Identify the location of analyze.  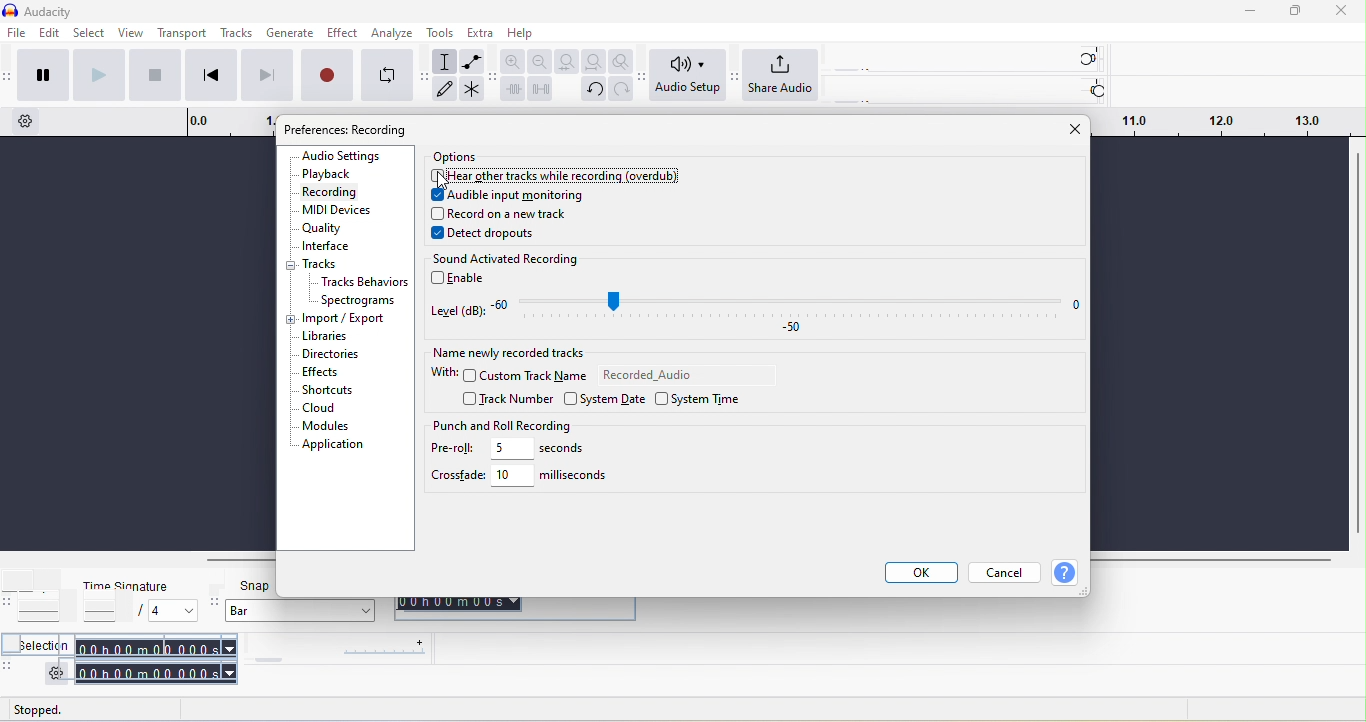
(392, 34).